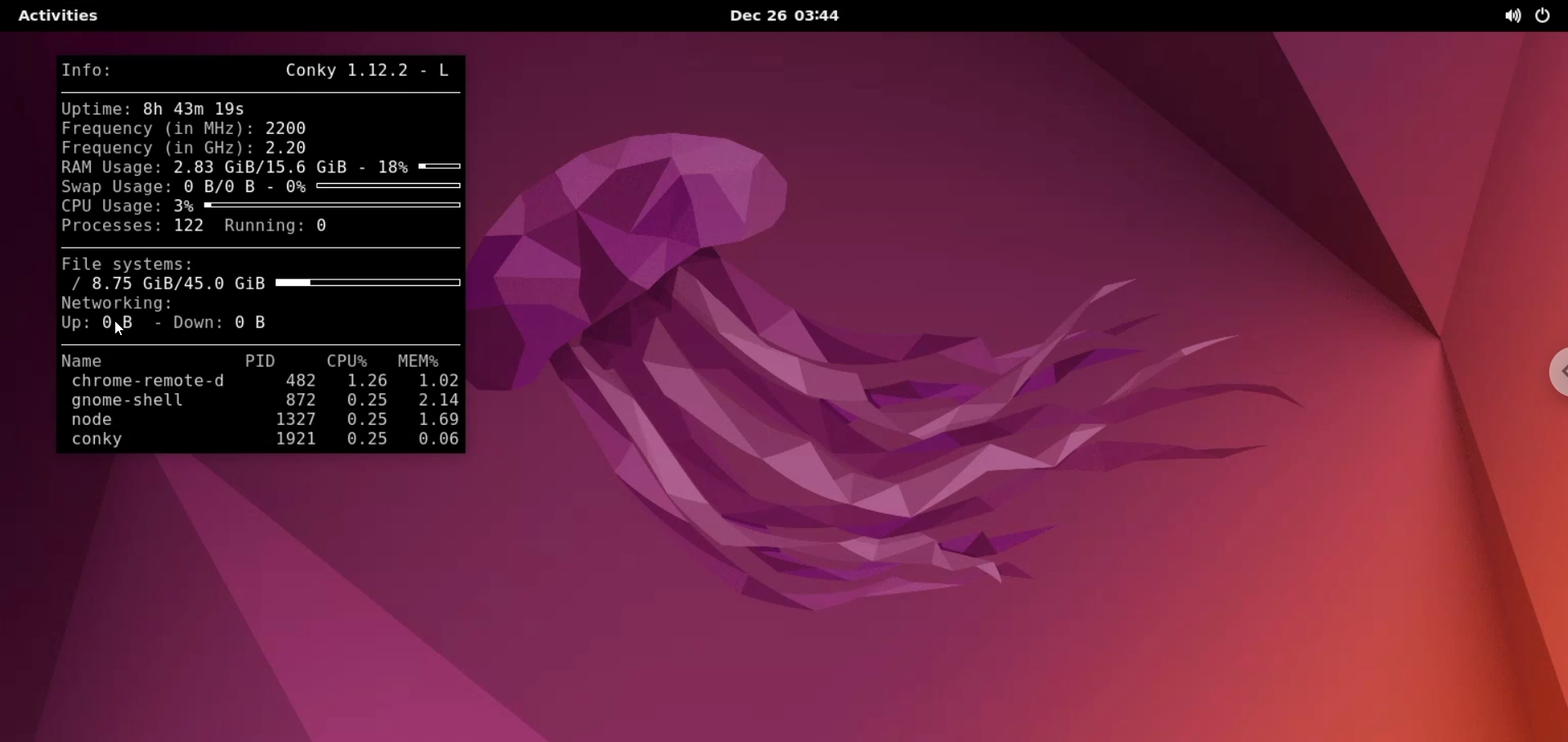 The image size is (1568, 742). I want to click on CPU%, so click(339, 362).